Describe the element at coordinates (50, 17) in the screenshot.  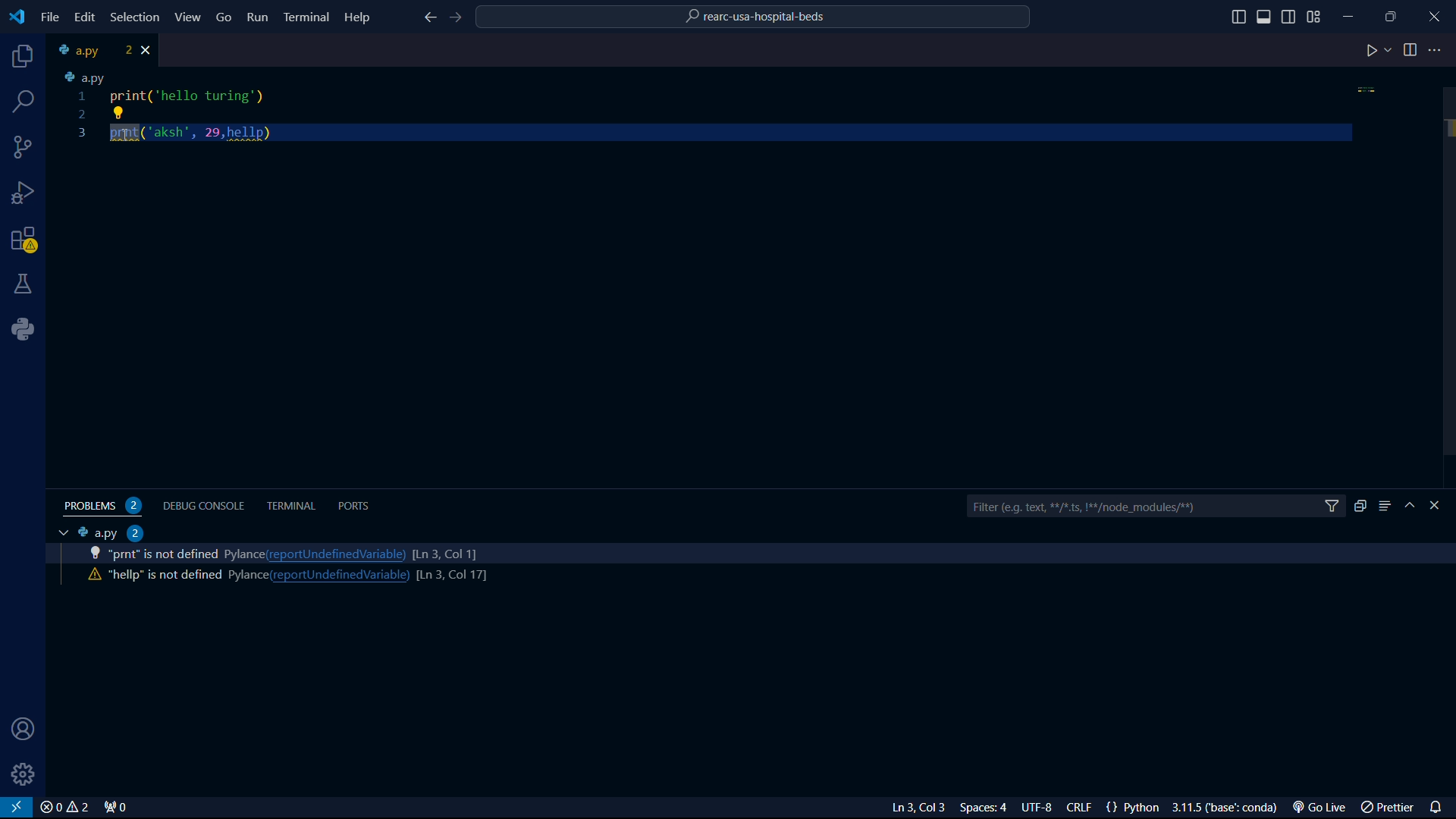
I see `file` at that location.